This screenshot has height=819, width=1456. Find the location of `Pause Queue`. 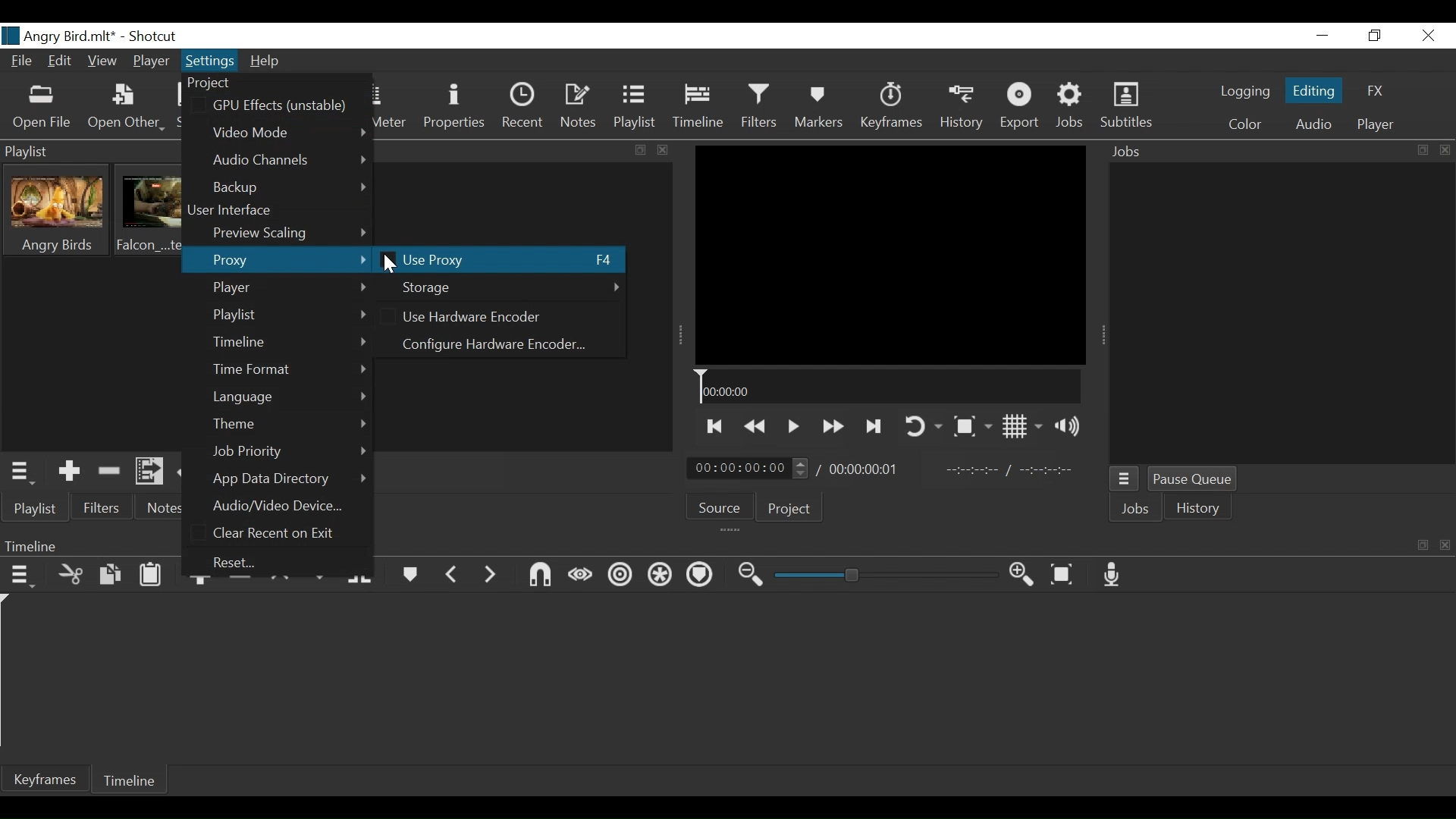

Pause Queue is located at coordinates (1194, 480).